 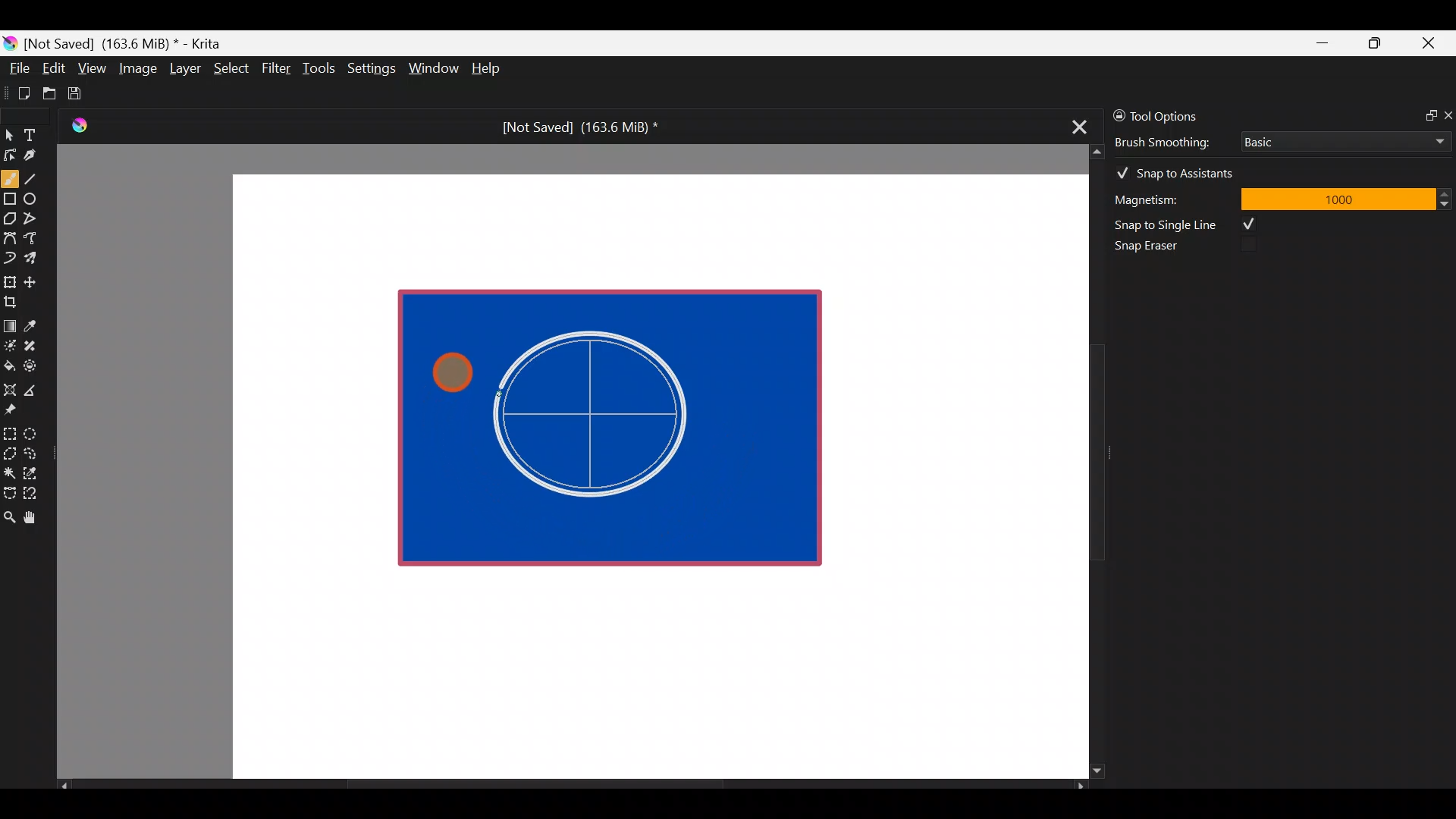 I want to click on Draw a gradient, so click(x=9, y=322).